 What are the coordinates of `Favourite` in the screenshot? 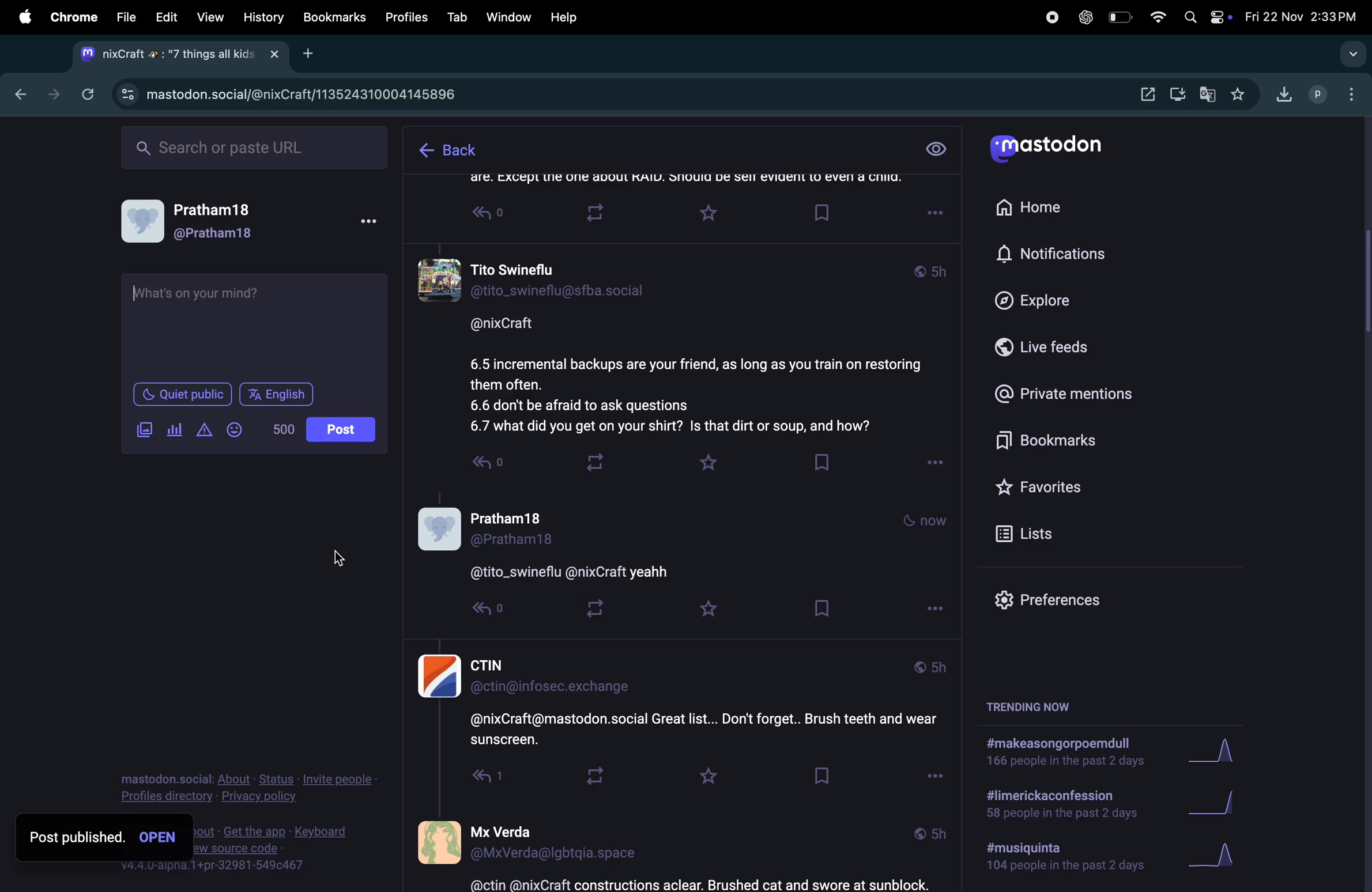 It's located at (707, 780).